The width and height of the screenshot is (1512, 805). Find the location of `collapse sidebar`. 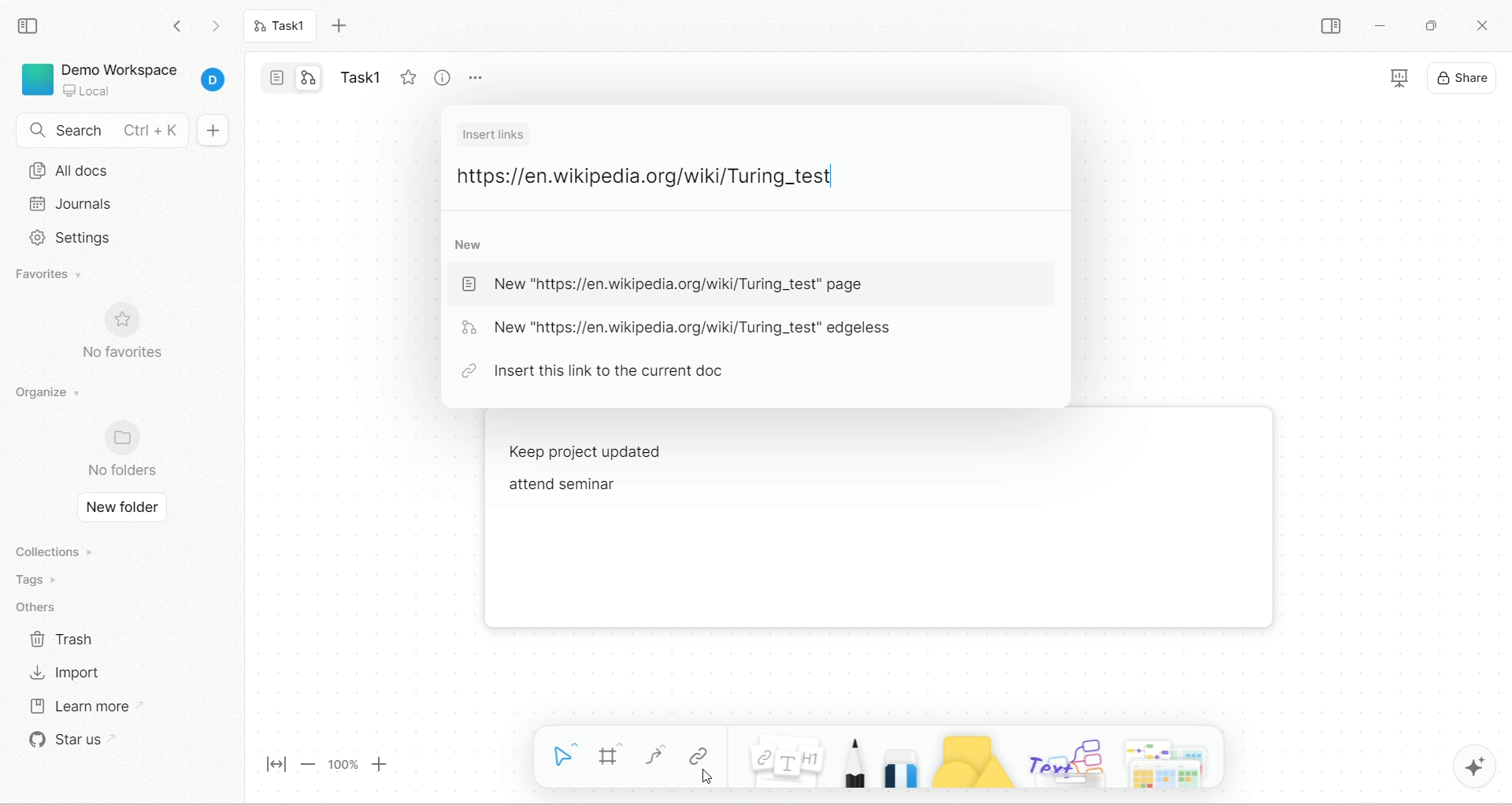

collapse sidebar is located at coordinates (1329, 26).